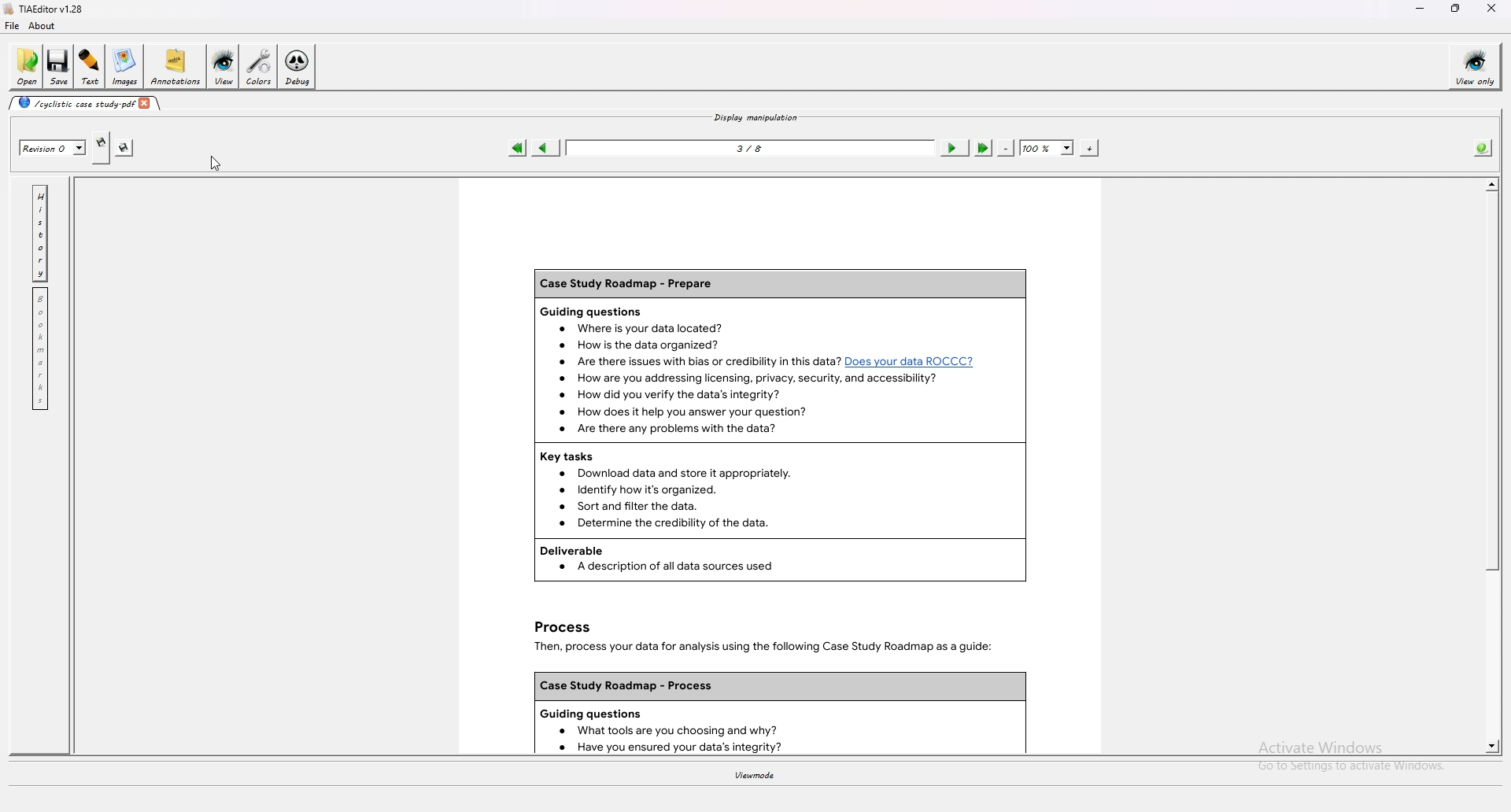 This screenshot has height=812, width=1511. I want to click on scroll up, so click(1491, 184).